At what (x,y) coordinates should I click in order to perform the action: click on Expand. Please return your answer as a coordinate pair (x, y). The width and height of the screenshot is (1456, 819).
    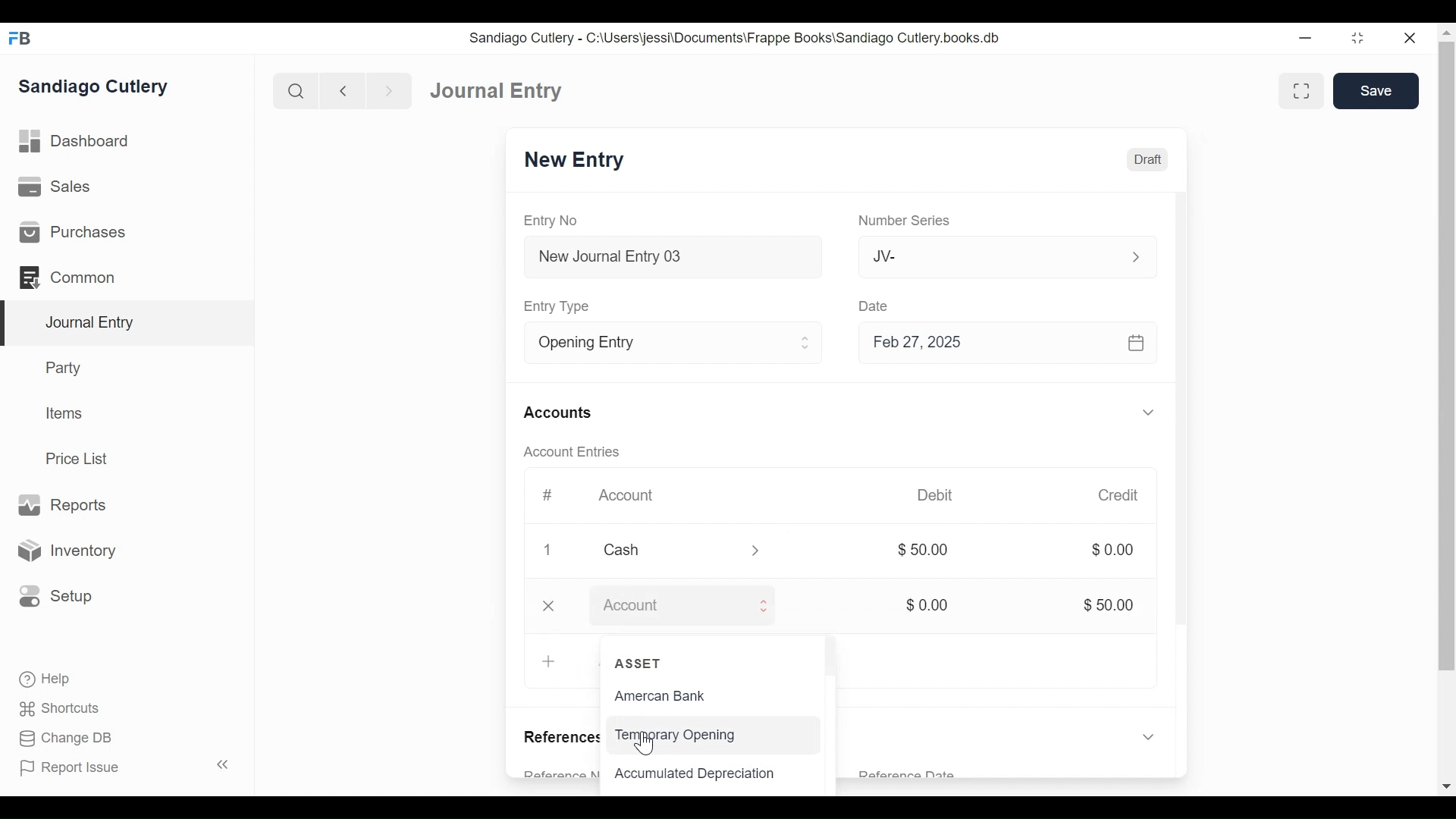
    Looking at the image, I should click on (1149, 735).